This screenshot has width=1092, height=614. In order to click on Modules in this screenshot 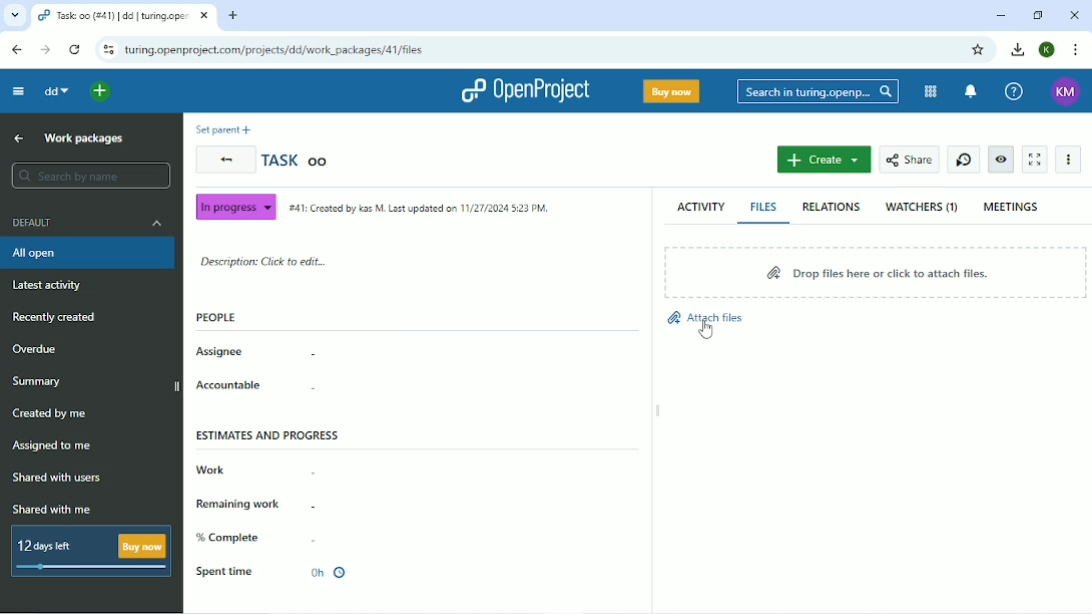, I will do `click(931, 92)`.